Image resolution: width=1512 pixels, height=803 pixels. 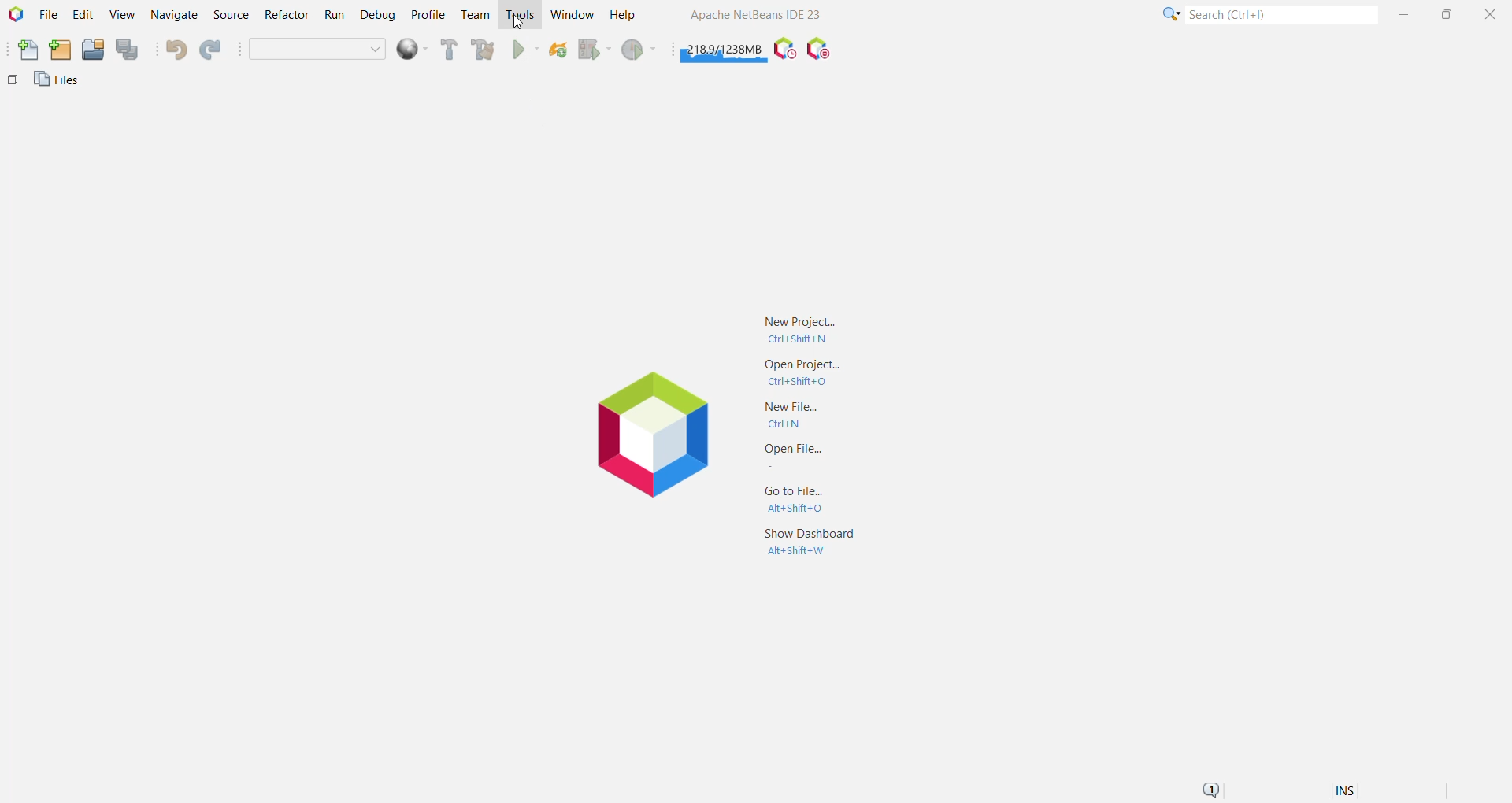 What do you see at coordinates (794, 414) in the screenshot?
I see `New File` at bounding box center [794, 414].